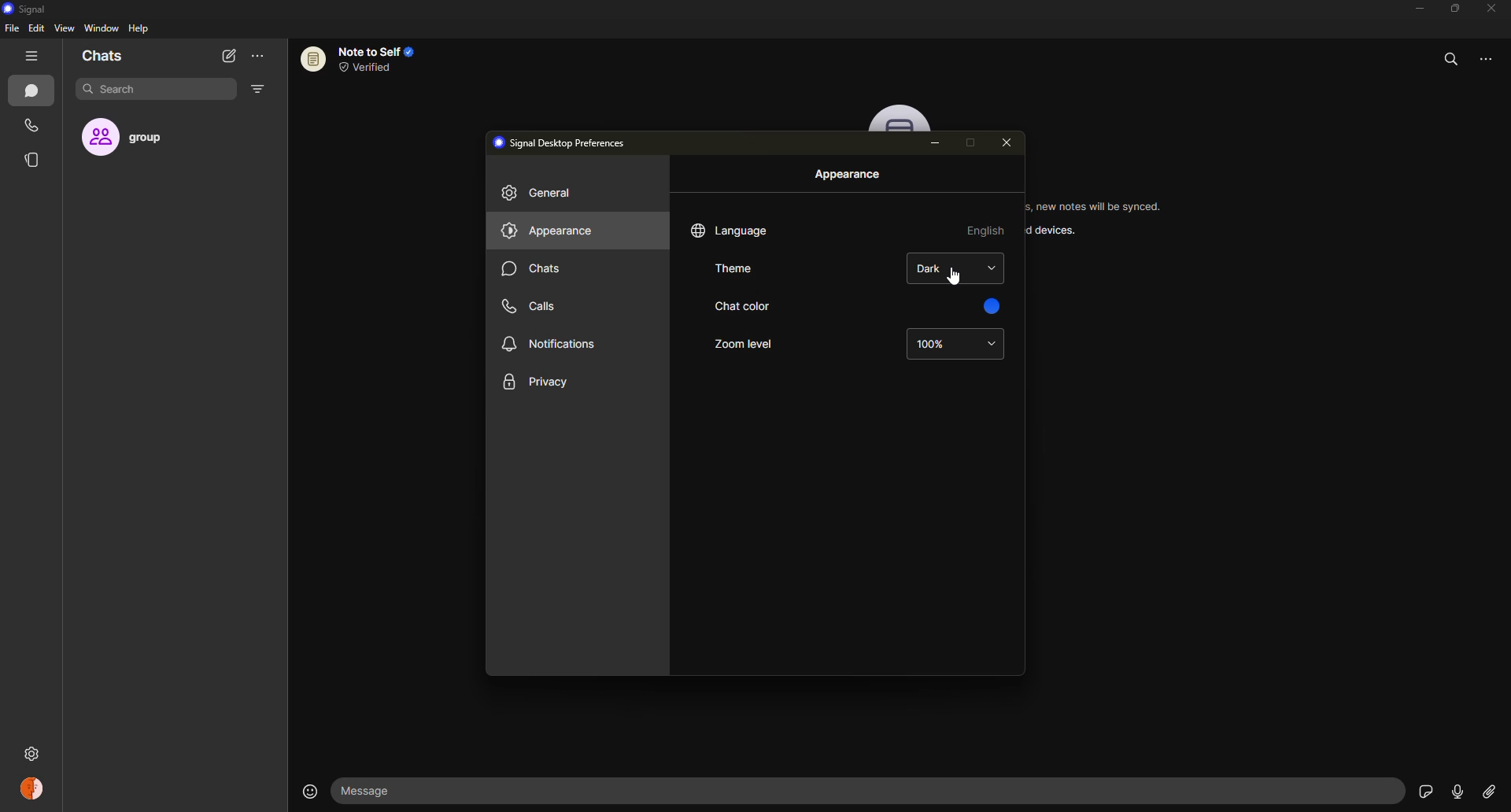  Describe the element at coordinates (139, 138) in the screenshot. I see `group` at that location.